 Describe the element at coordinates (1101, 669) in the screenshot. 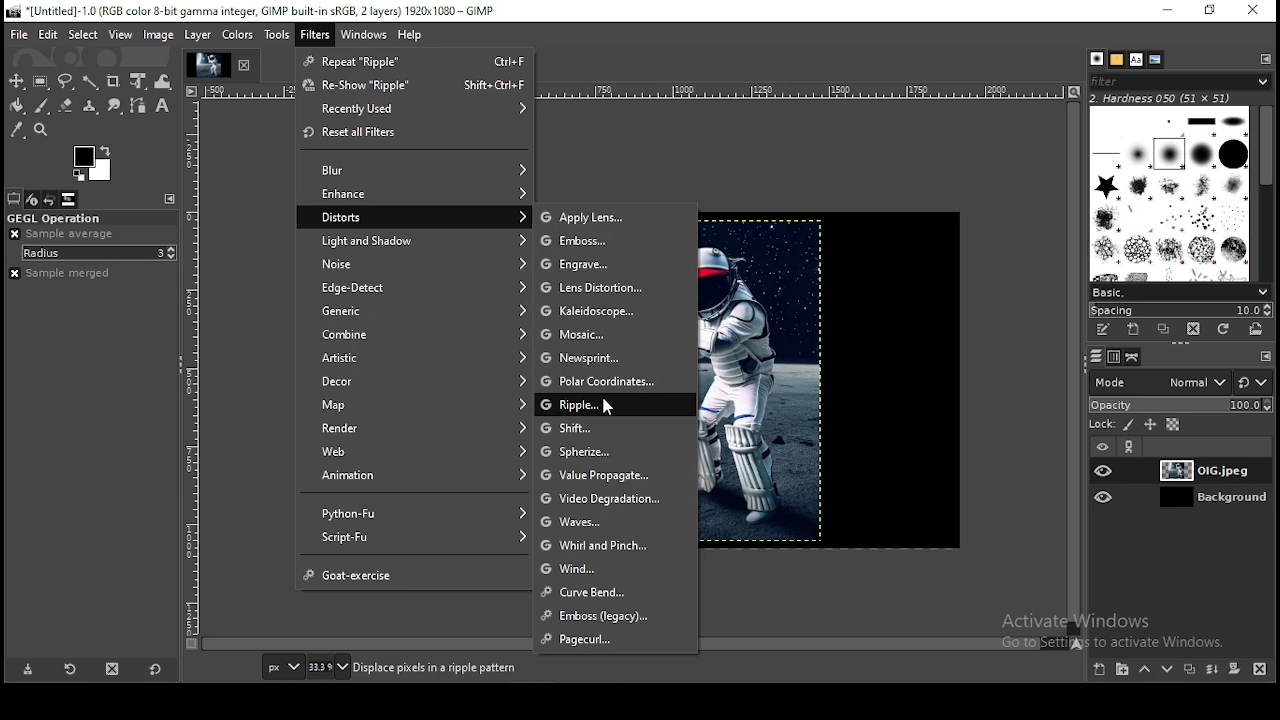

I see `create a new layer` at that location.